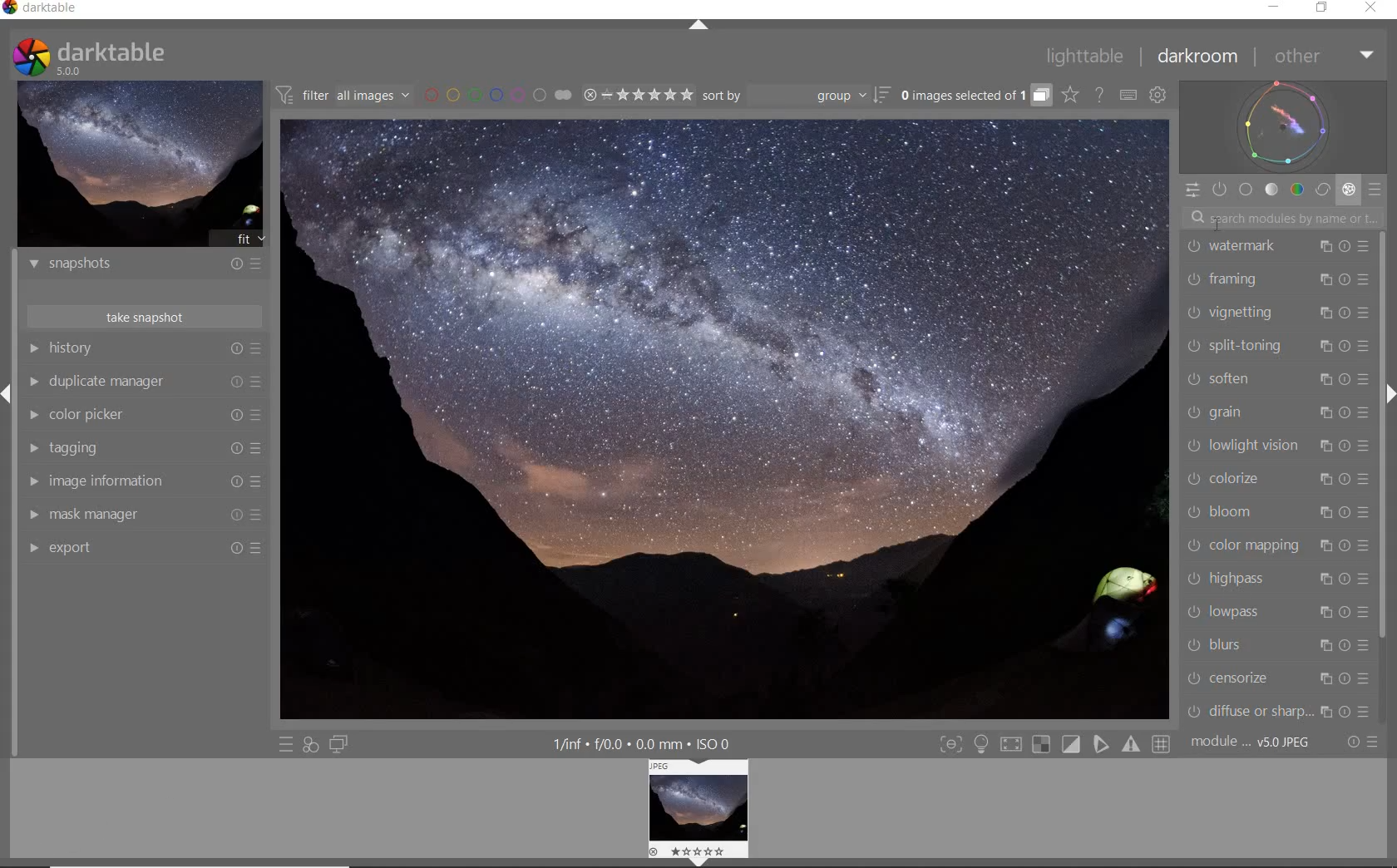  What do you see at coordinates (237, 417) in the screenshot?
I see `Reset` at bounding box center [237, 417].